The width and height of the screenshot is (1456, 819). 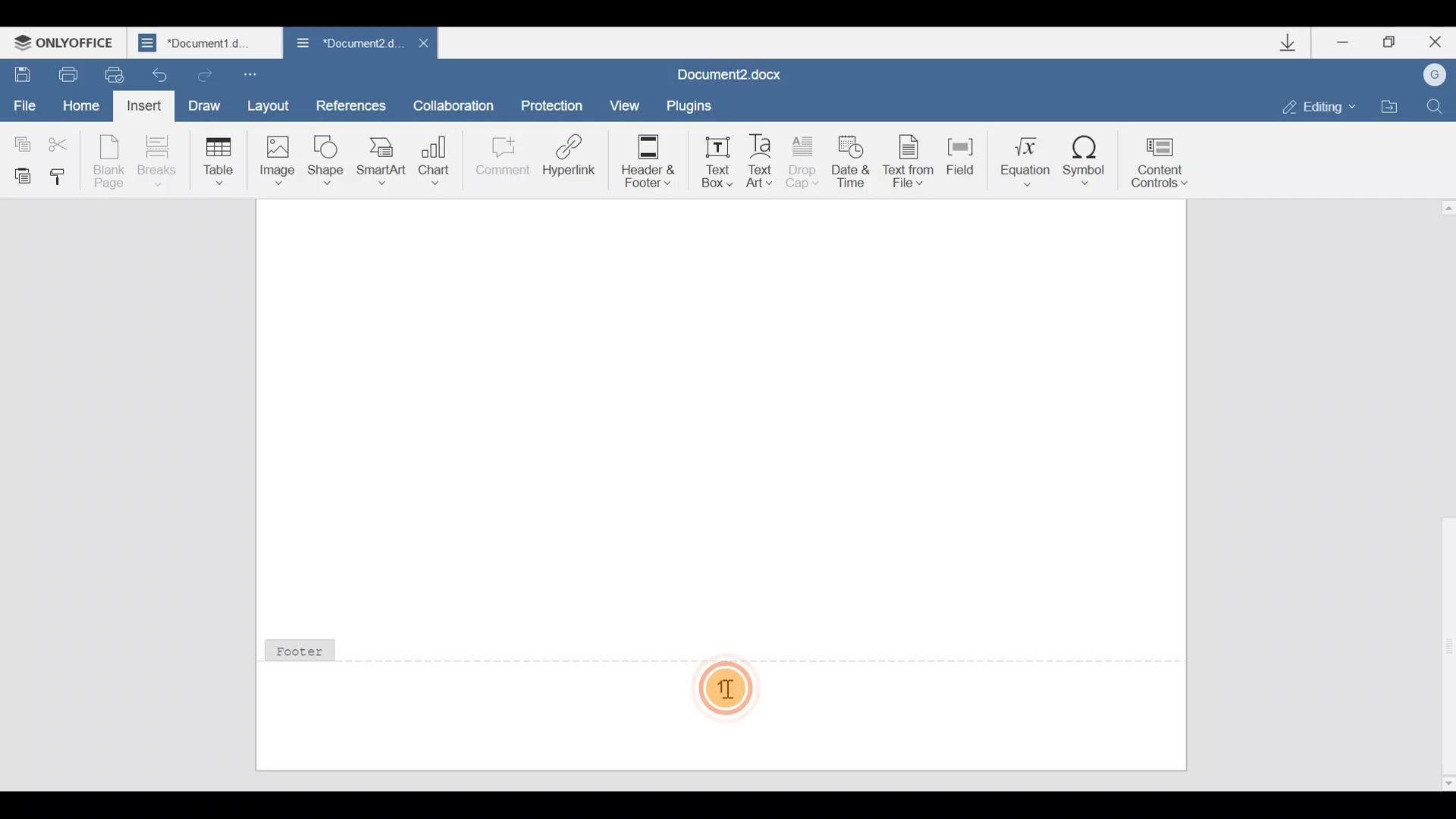 I want to click on Cut, so click(x=62, y=145).